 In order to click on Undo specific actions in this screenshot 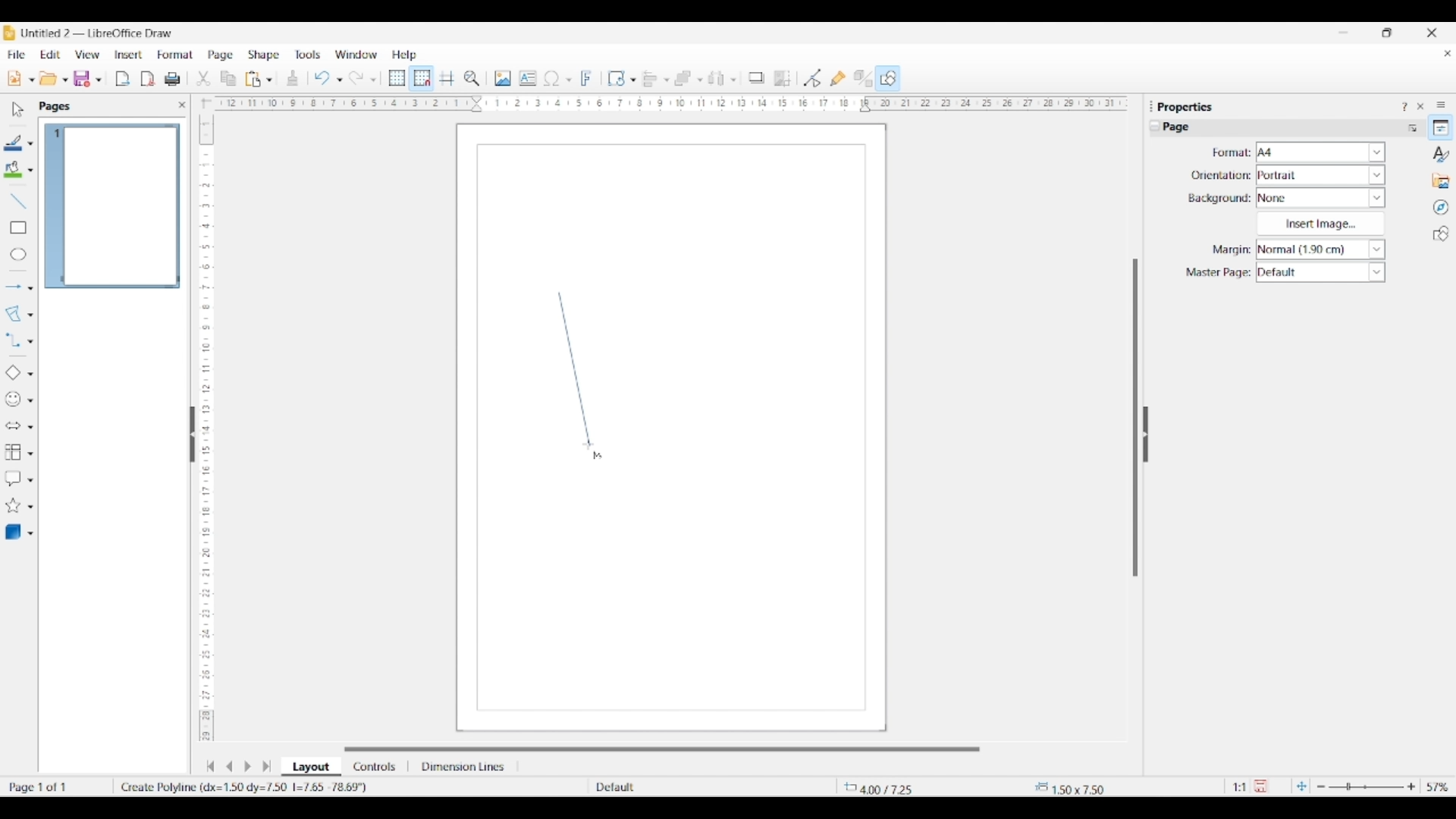, I will do `click(339, 80)`.